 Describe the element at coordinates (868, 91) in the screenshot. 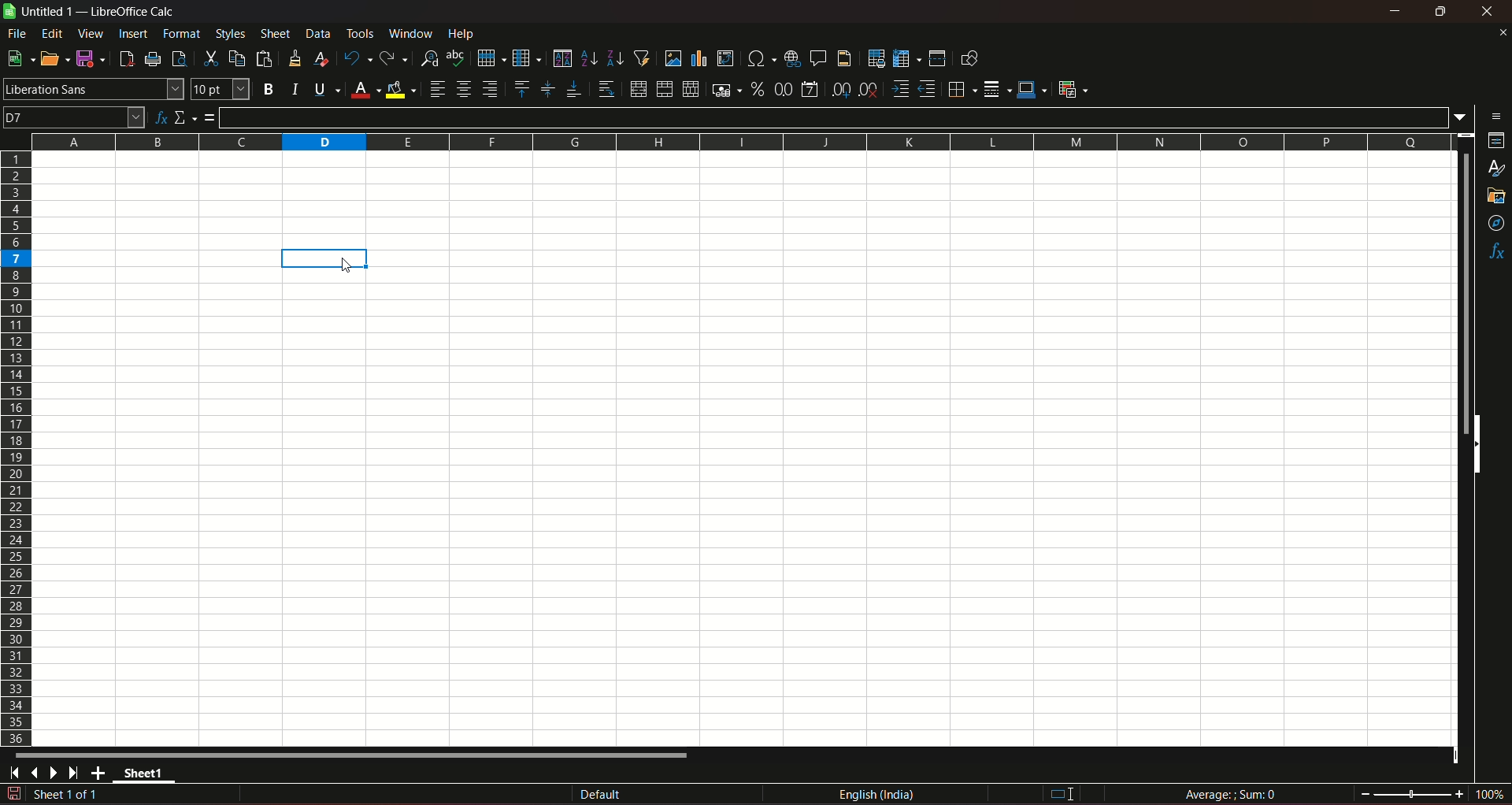

I see `delete decimal place` at that location.